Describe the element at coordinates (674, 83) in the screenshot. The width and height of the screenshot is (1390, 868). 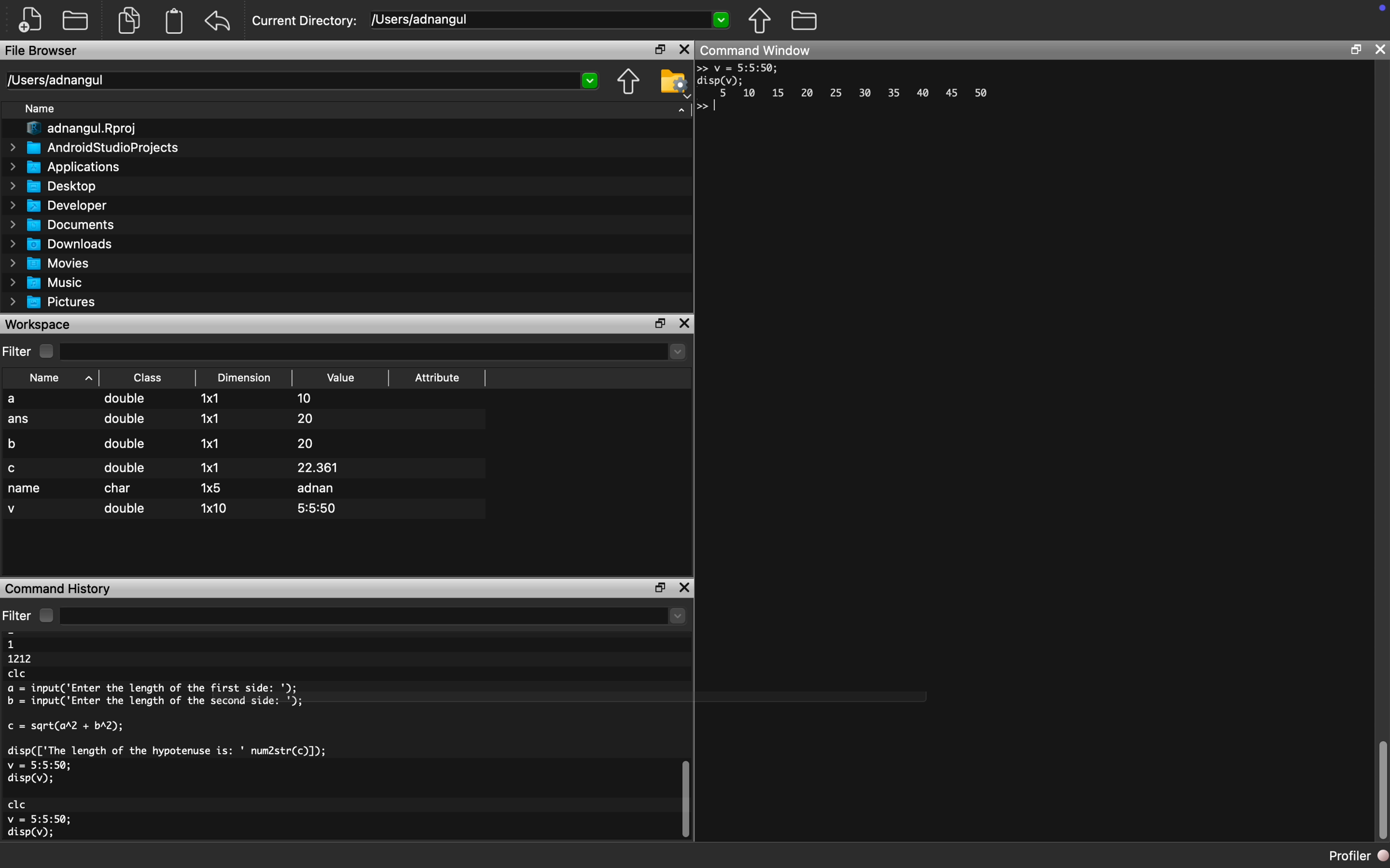
I see `Folder Settings` at that location.